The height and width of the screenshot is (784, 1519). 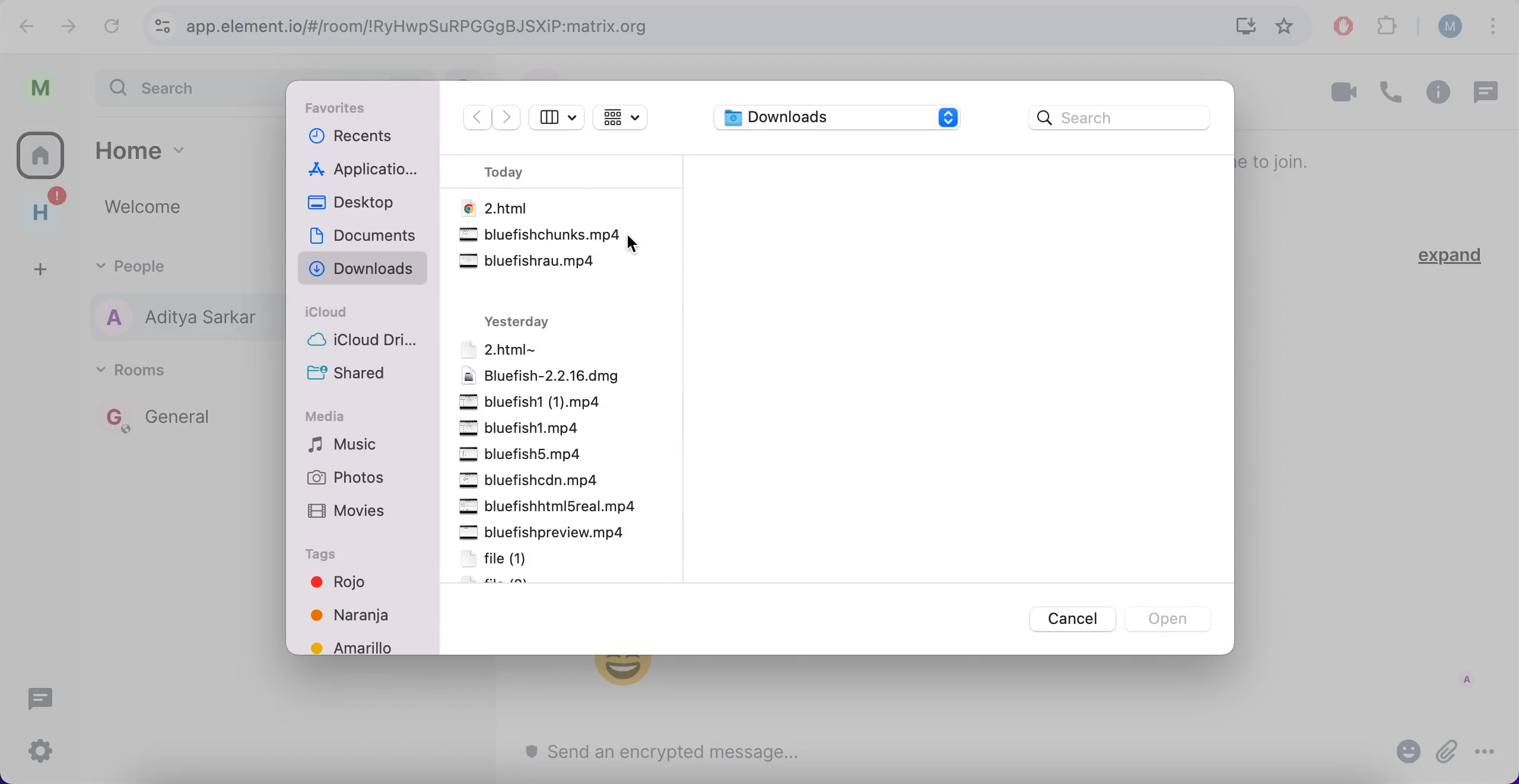 I want to click on file, so click(x=527, y=480).